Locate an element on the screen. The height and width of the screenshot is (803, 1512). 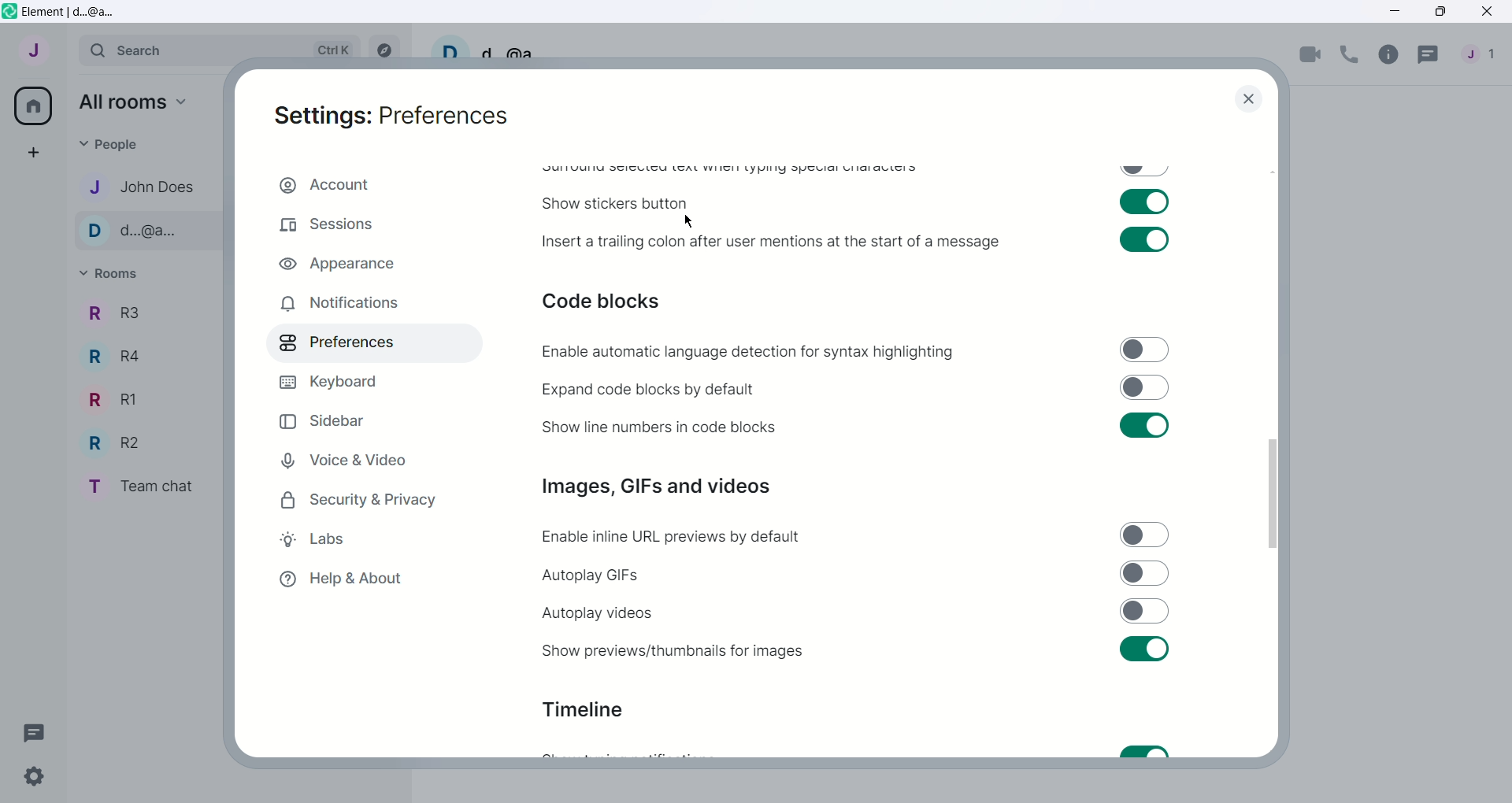
close is located at coordinates (1249, 98).